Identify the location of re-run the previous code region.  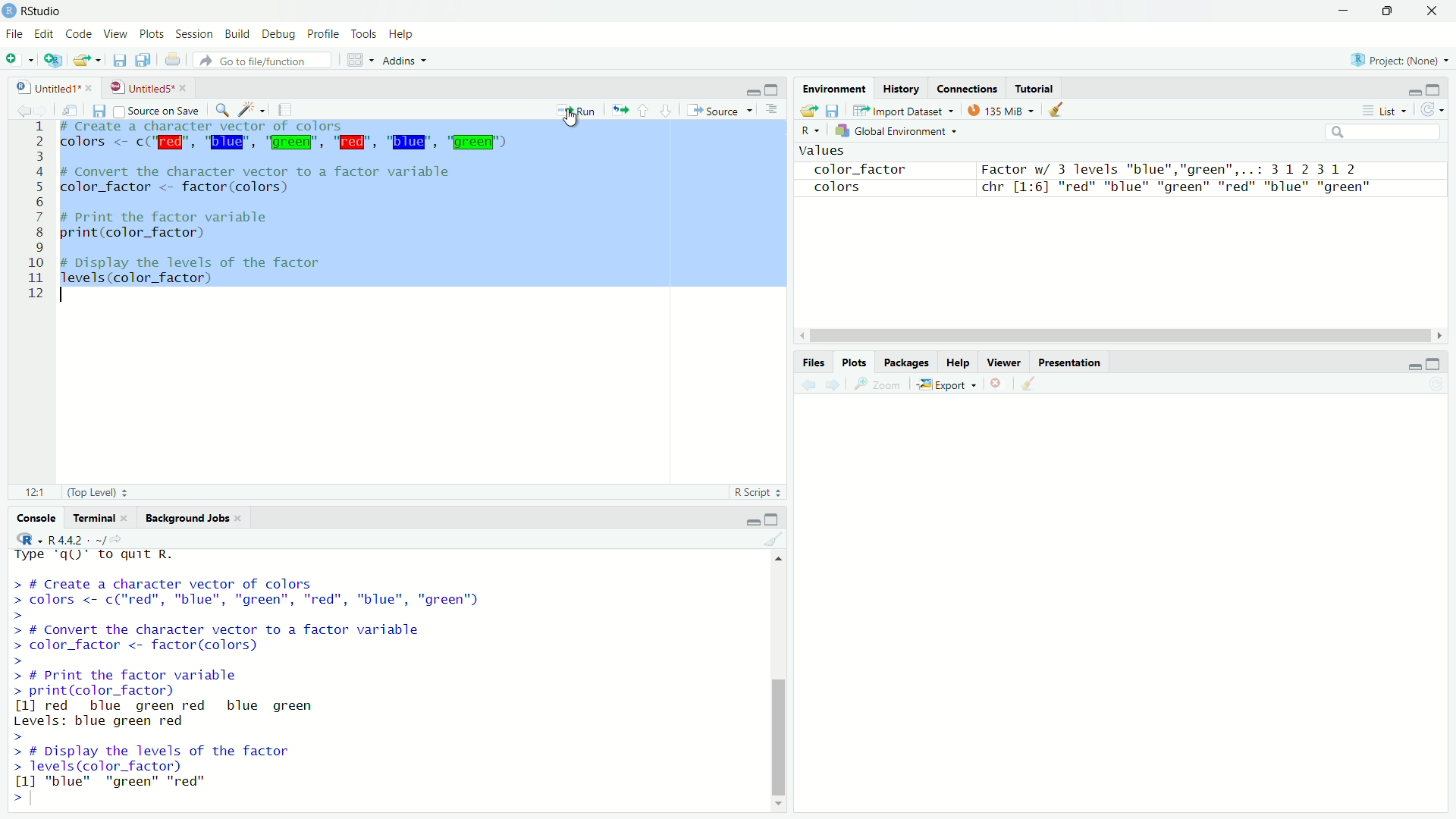
(620, 111).